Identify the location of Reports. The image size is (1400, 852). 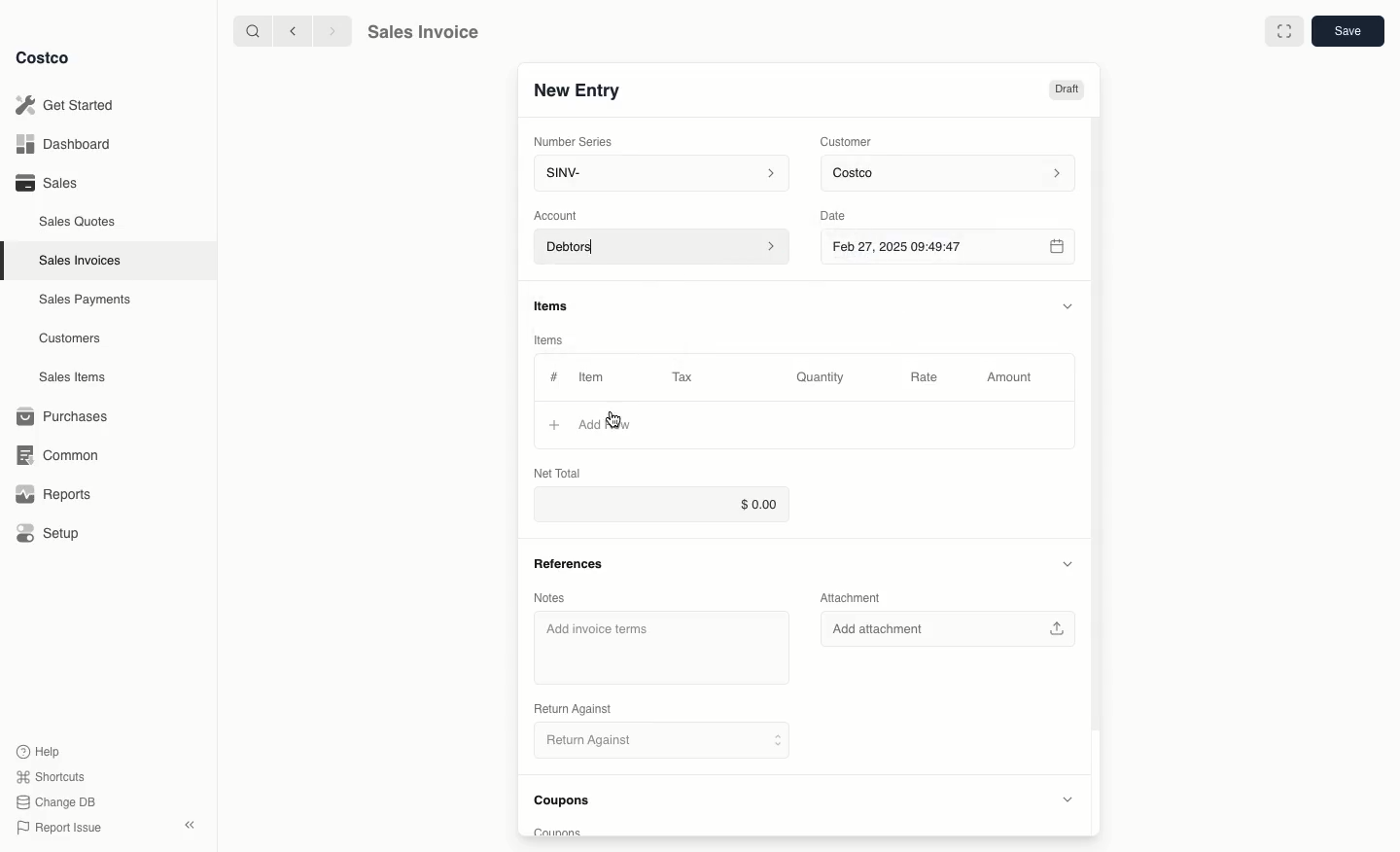
(51, 494).